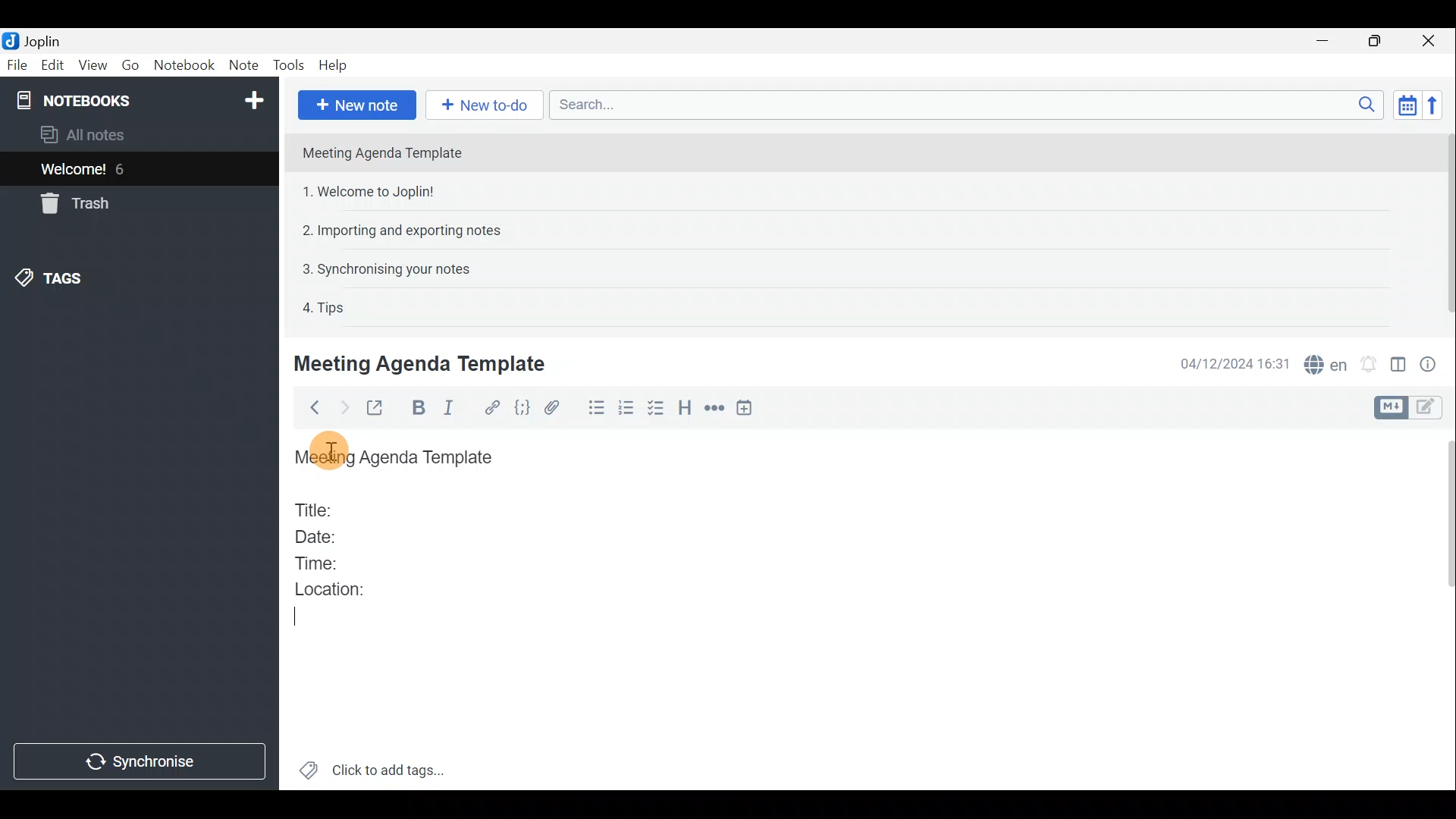 This screenshot has height=819, width=1456. What do you see at coordinates (453, 409) in the screenshot?
I see `Italic` at bounding box center [453, 409].